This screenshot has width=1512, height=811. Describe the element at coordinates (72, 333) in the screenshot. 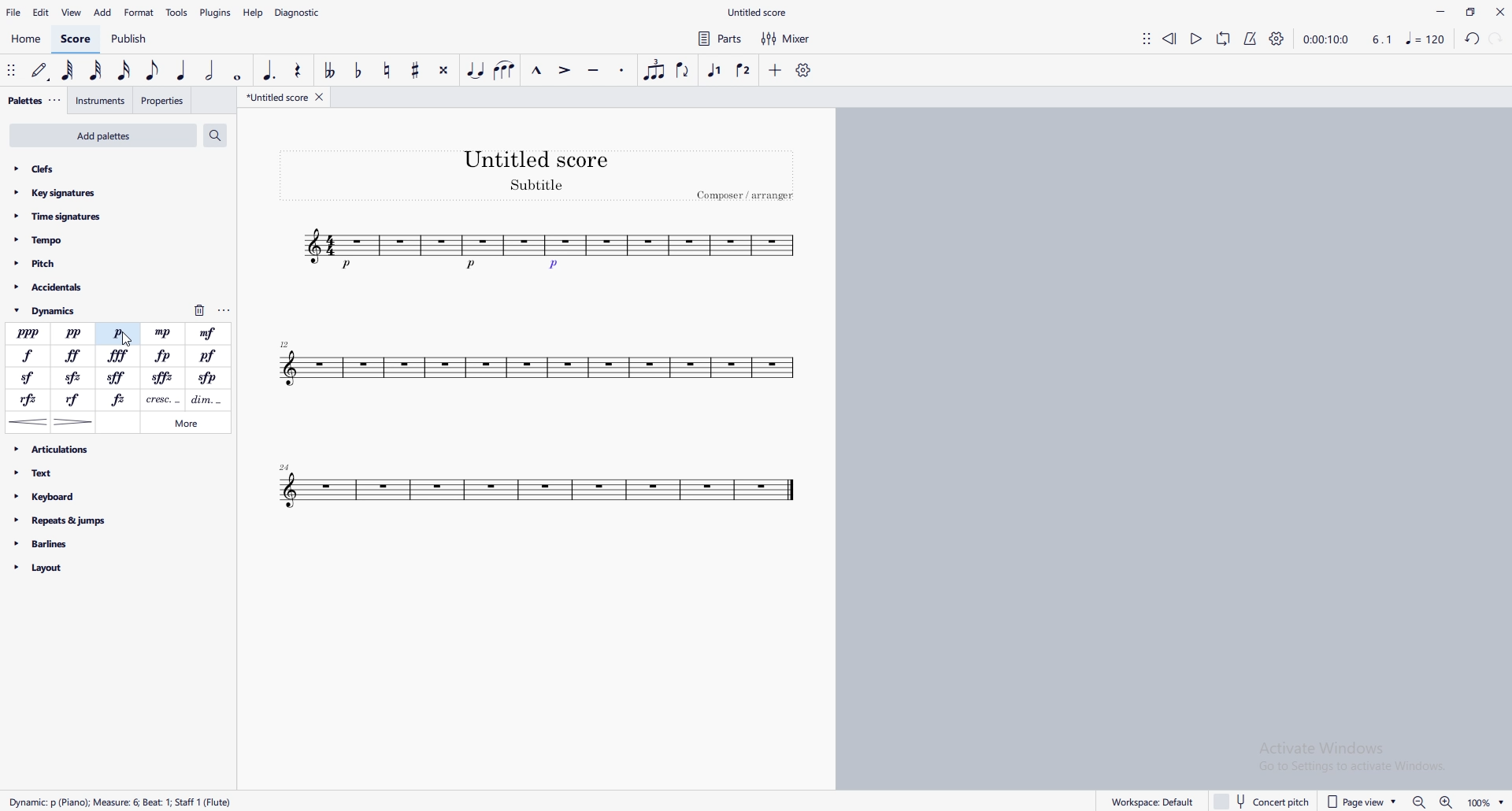

I see `pianissimo` at that location.